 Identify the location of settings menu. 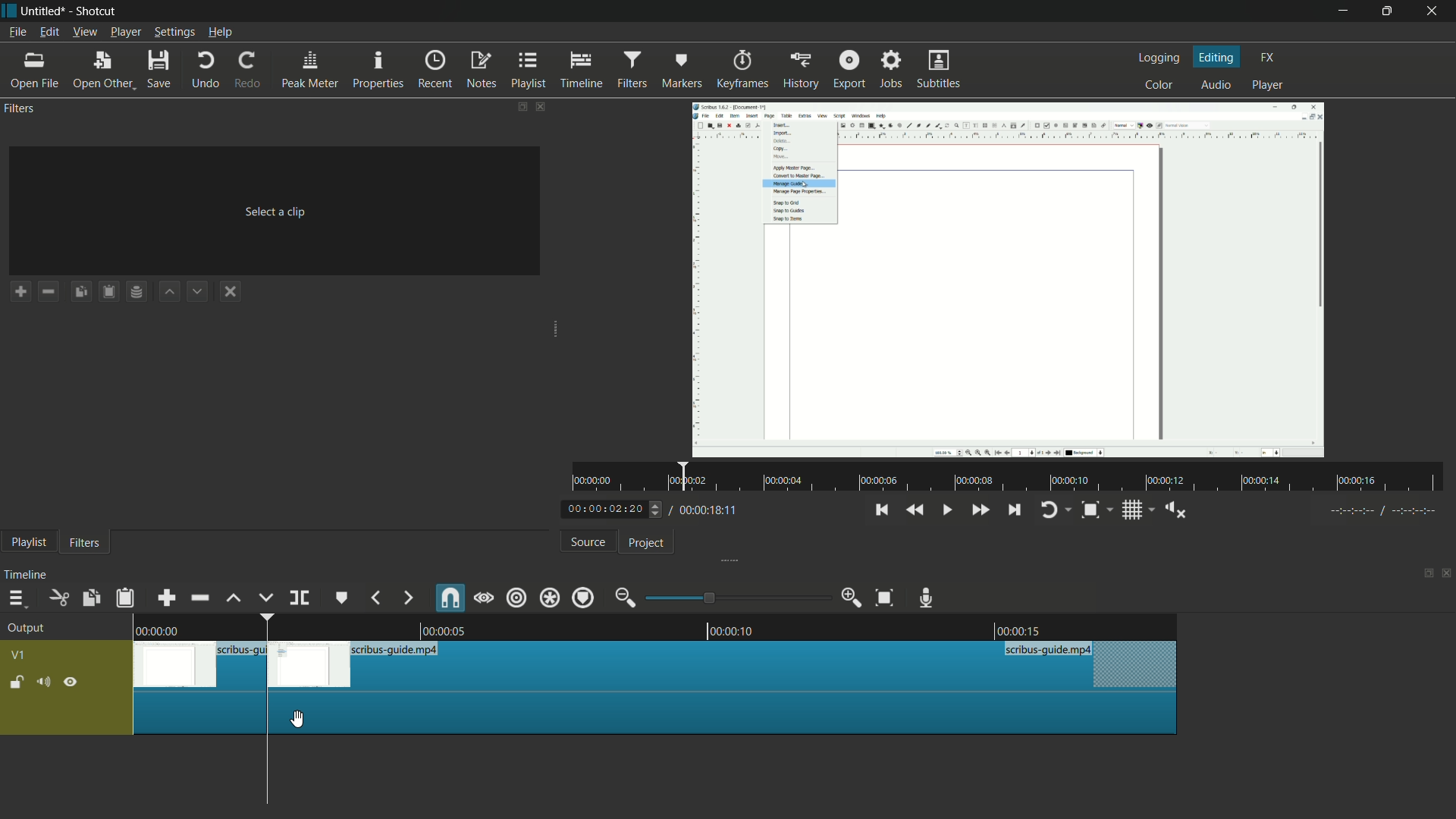
(172, 32).